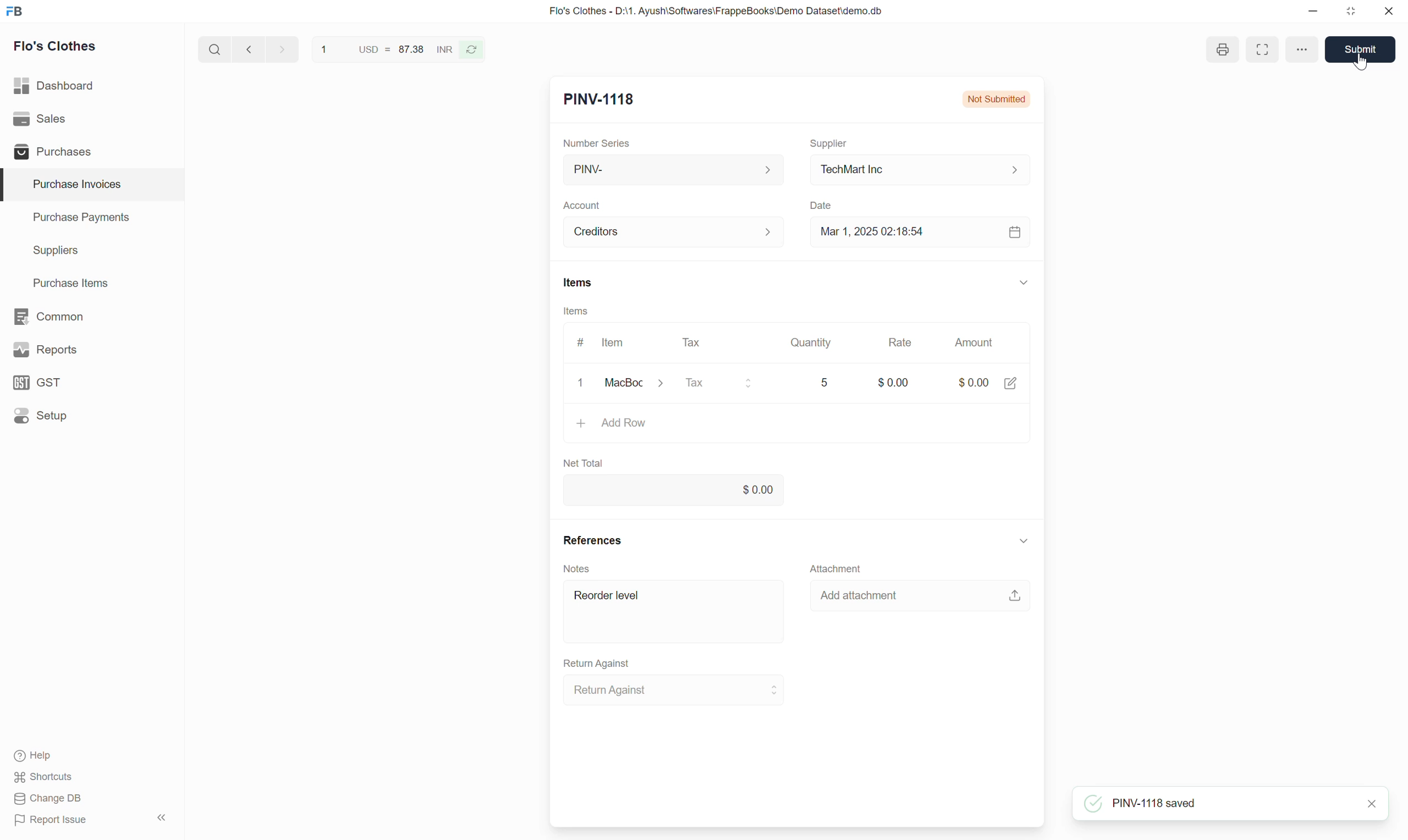  I want to click on Return Against, so click(675, 690).